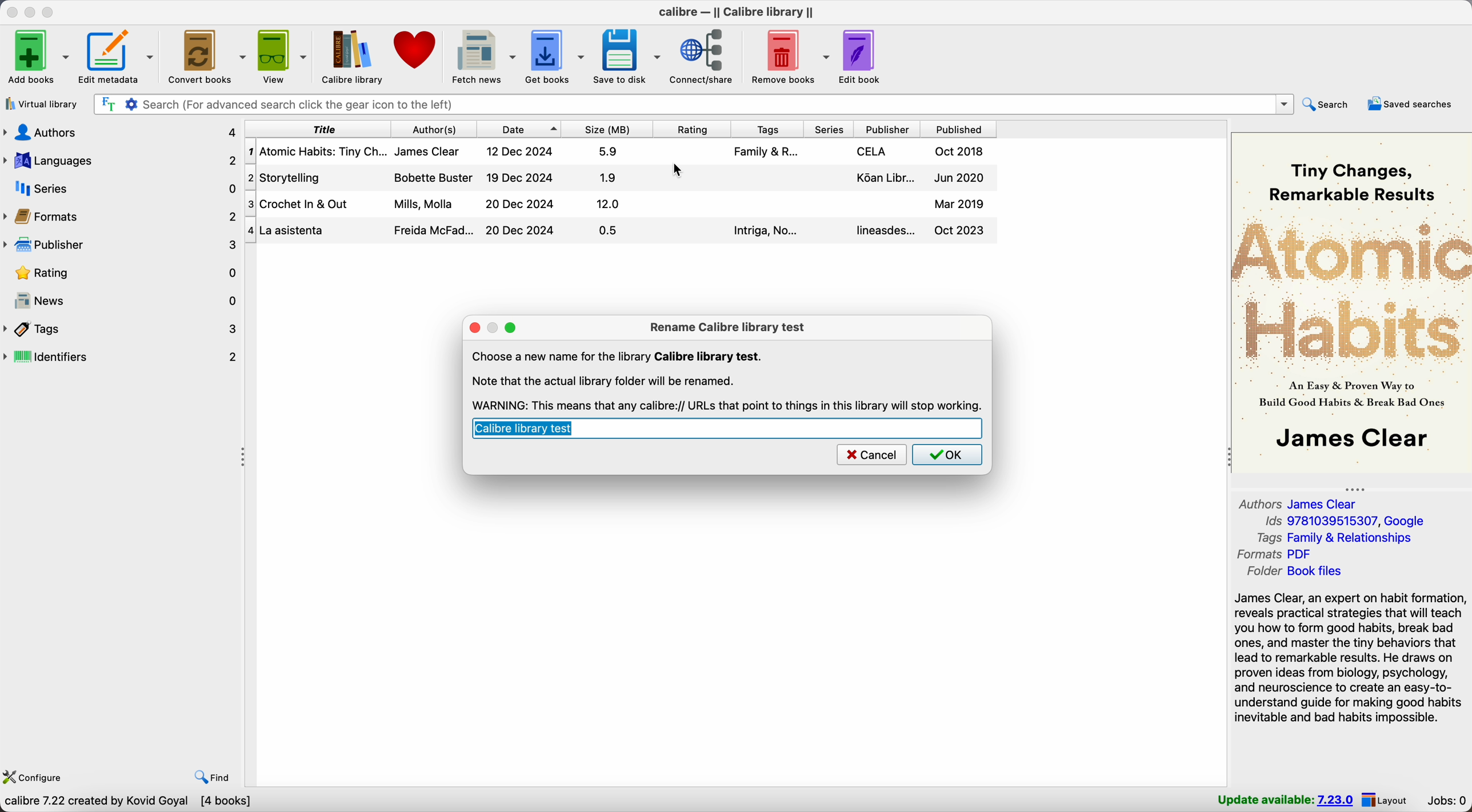  What do you see at coordinates (729, 329) in the screenshot?
I see `rename Calibre library test` at bounding box center [729, 329].